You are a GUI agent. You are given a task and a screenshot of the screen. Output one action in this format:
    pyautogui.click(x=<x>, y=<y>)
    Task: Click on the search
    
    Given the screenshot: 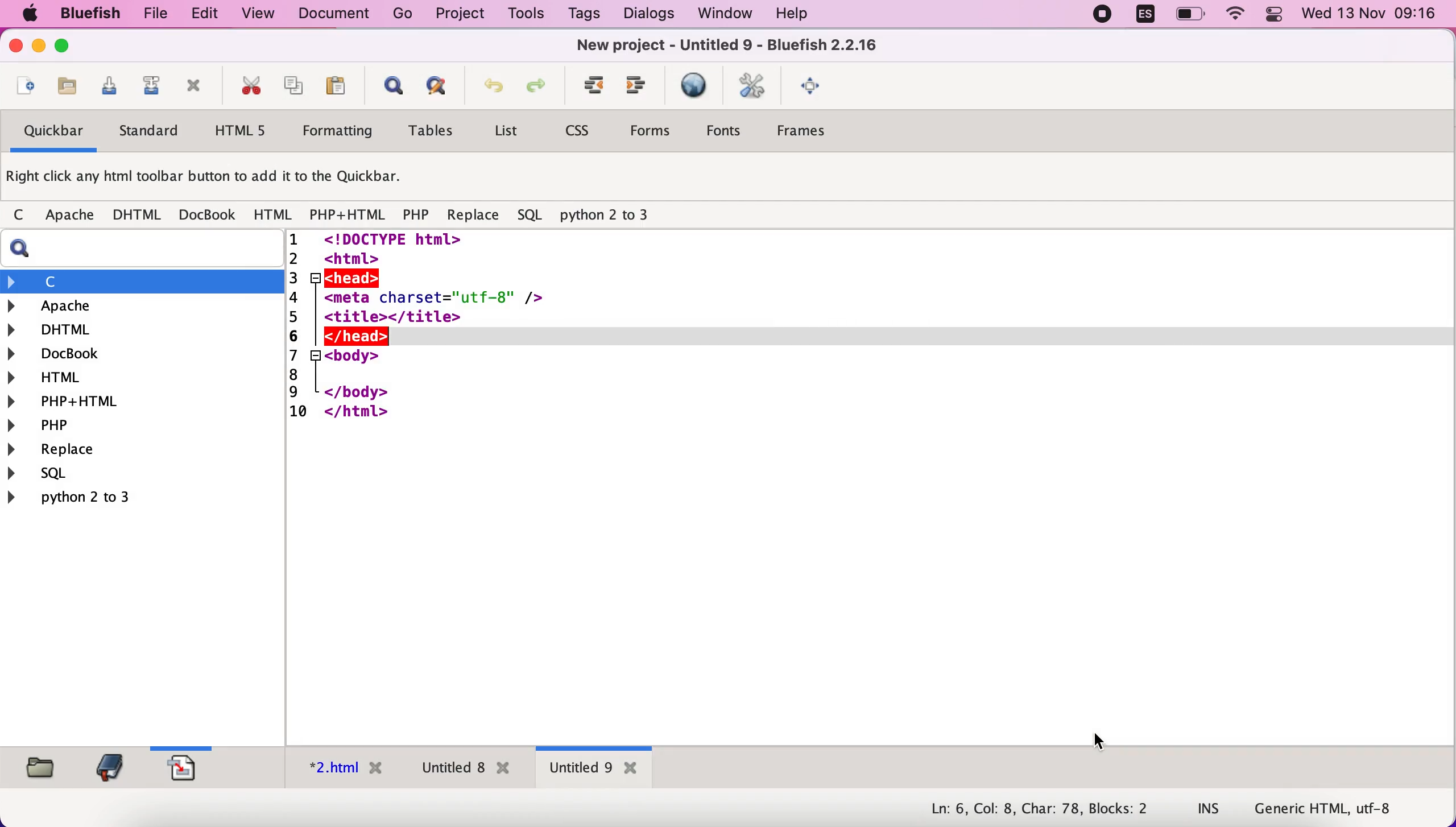 What is the action you would take?
    pyautogui.click(x=147, y=249)
    